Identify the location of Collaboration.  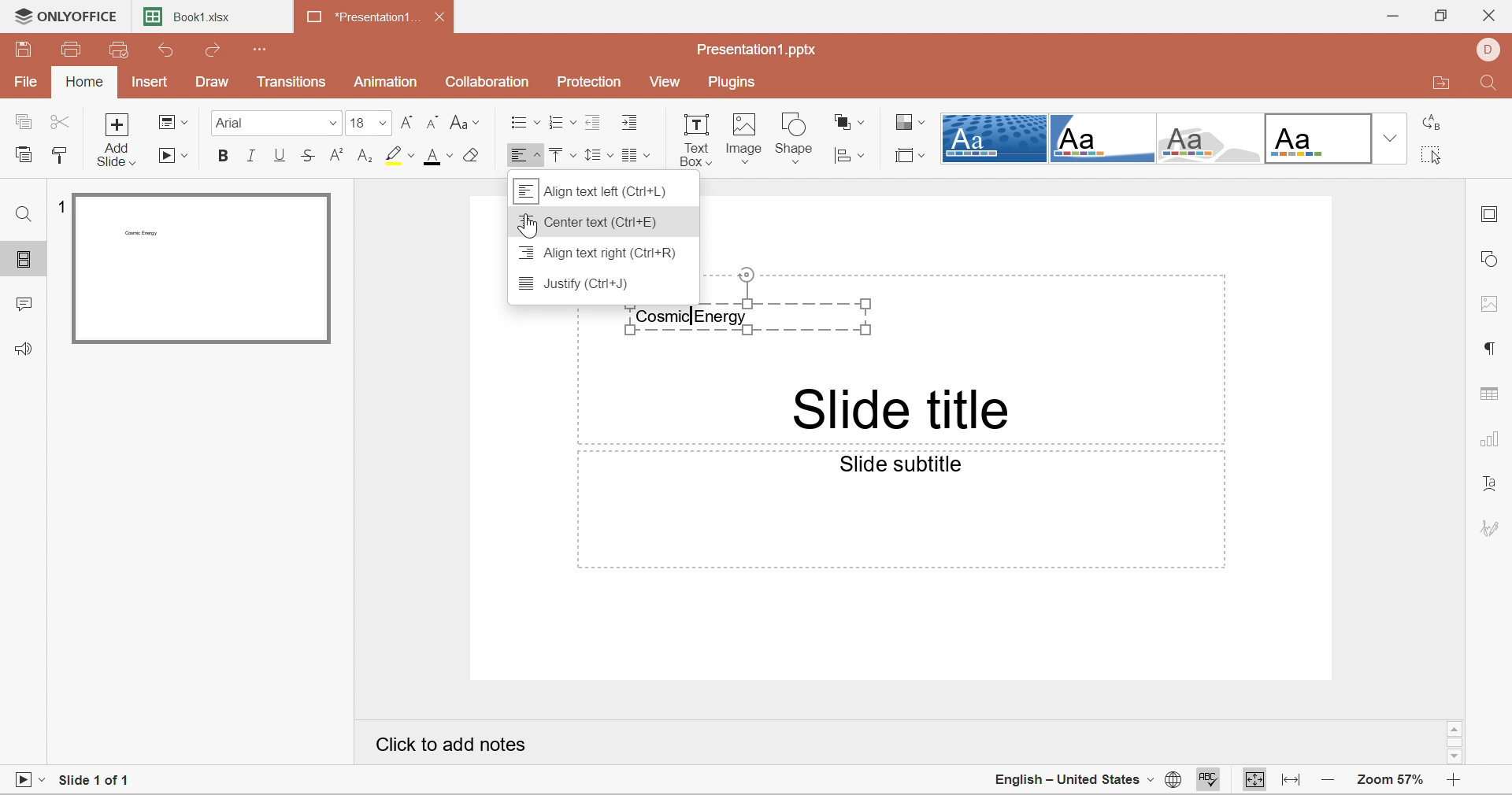
(489, 83).